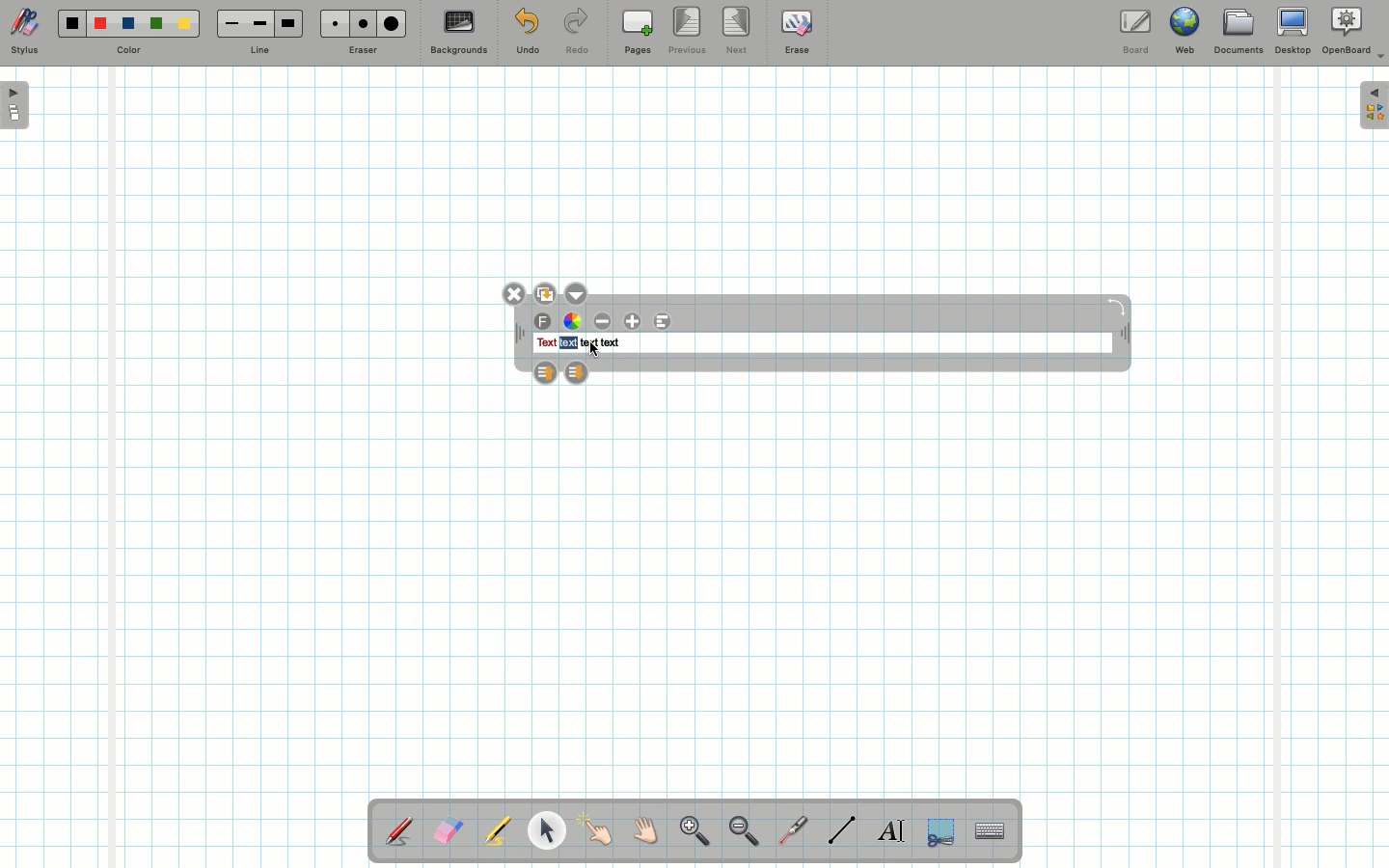  Describe the element at coordinates (184, 23) in the screenshot. I see `Yellow` at that location.